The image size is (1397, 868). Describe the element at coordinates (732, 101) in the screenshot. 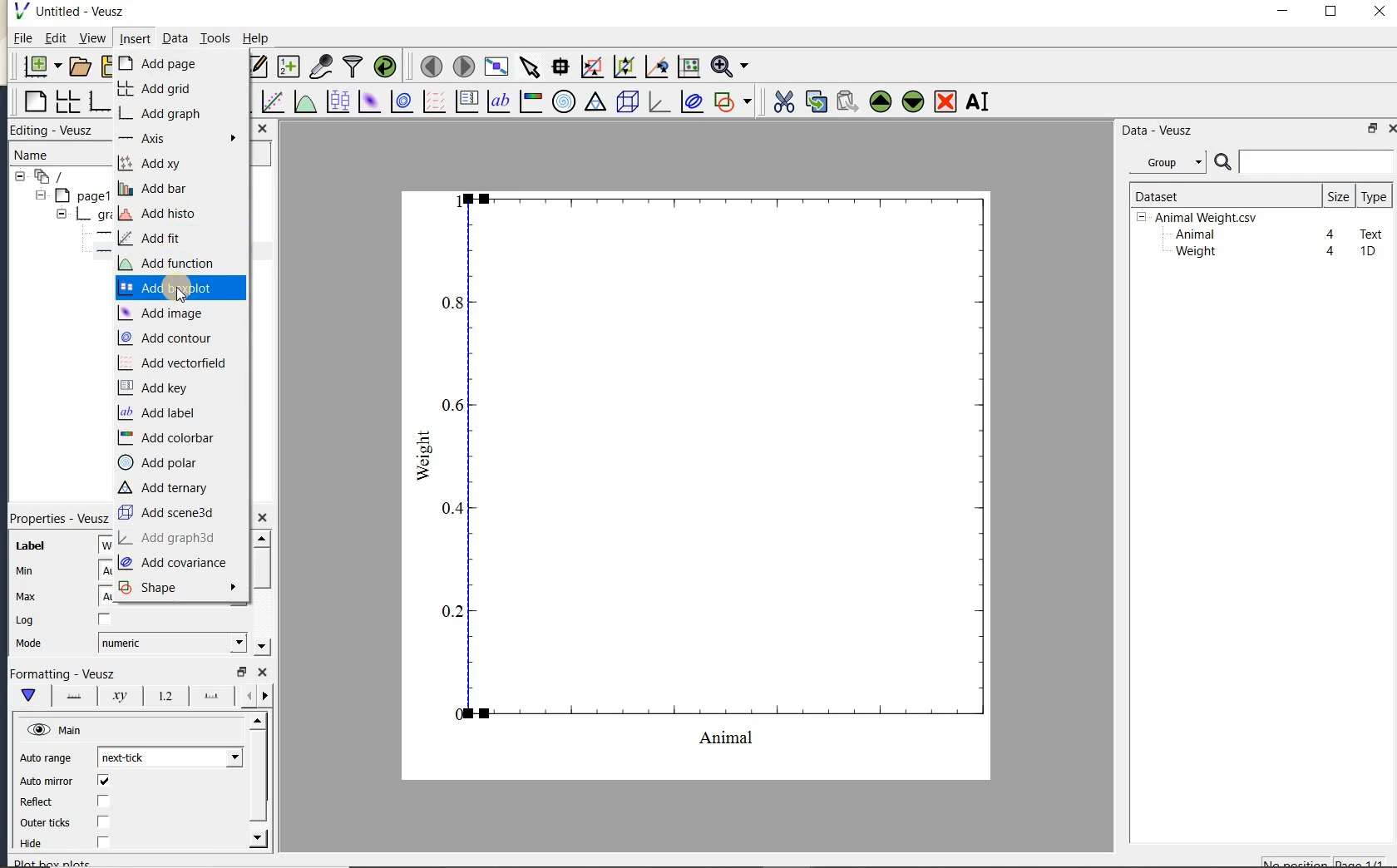

I see `add a shape to the plot` at that location.